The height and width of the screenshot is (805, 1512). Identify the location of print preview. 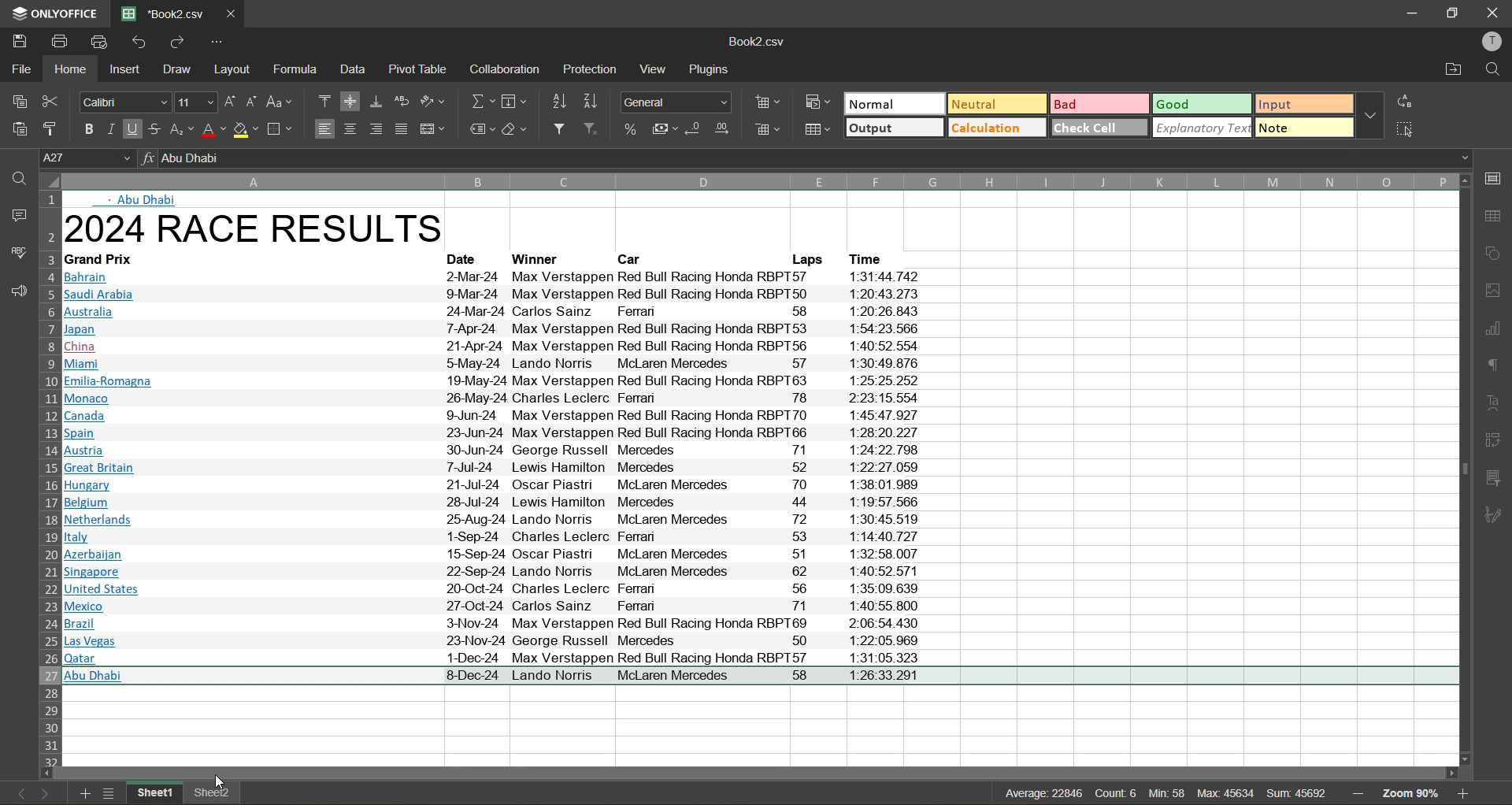
(102, 42).